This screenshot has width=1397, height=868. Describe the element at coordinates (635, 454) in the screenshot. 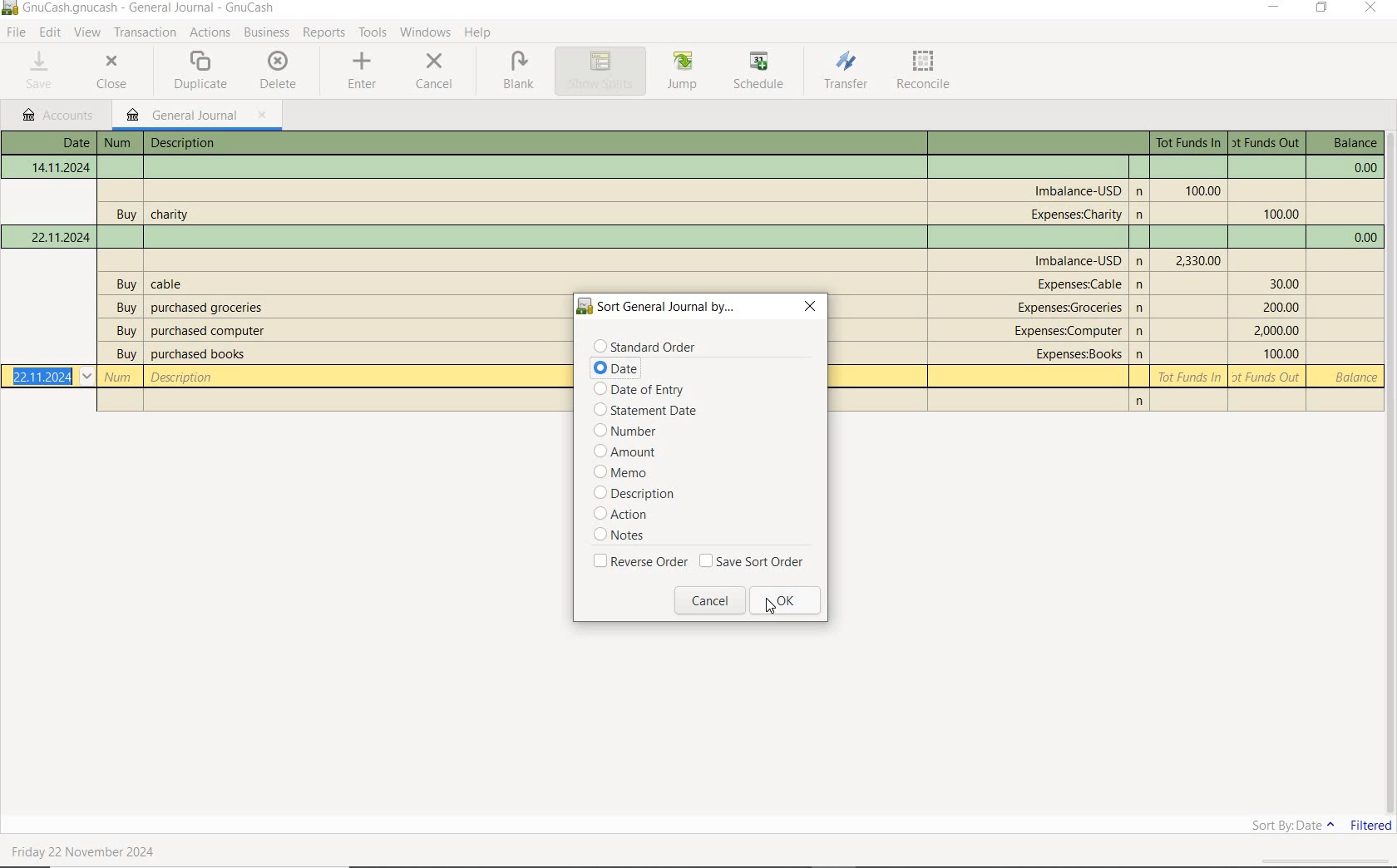

I see `amount` at that location.